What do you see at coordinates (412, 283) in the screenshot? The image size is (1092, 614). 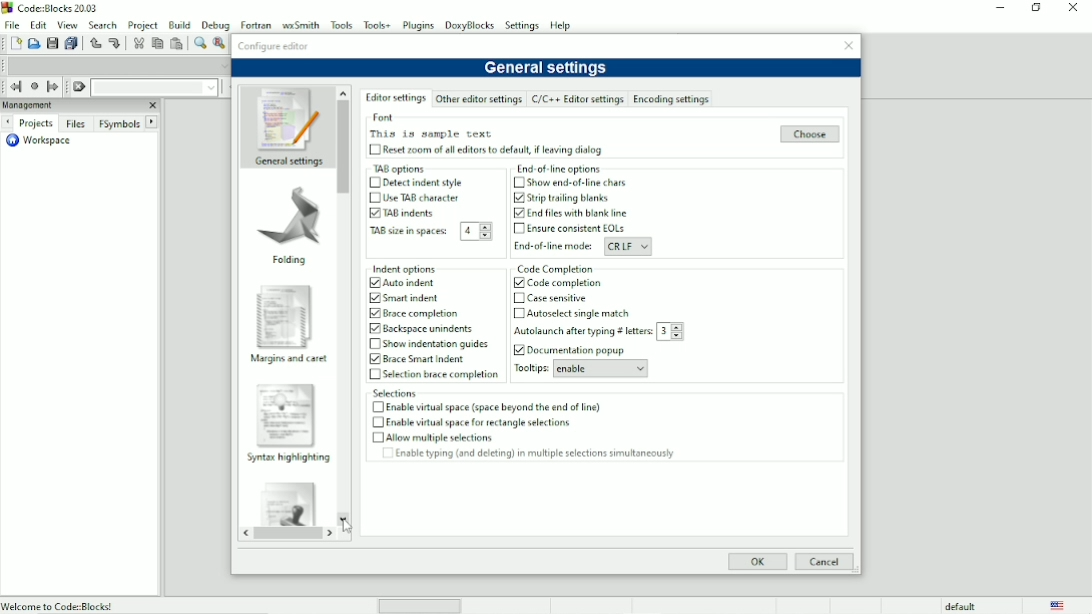 I see `Auto indent` at bounding box center [412, 283].